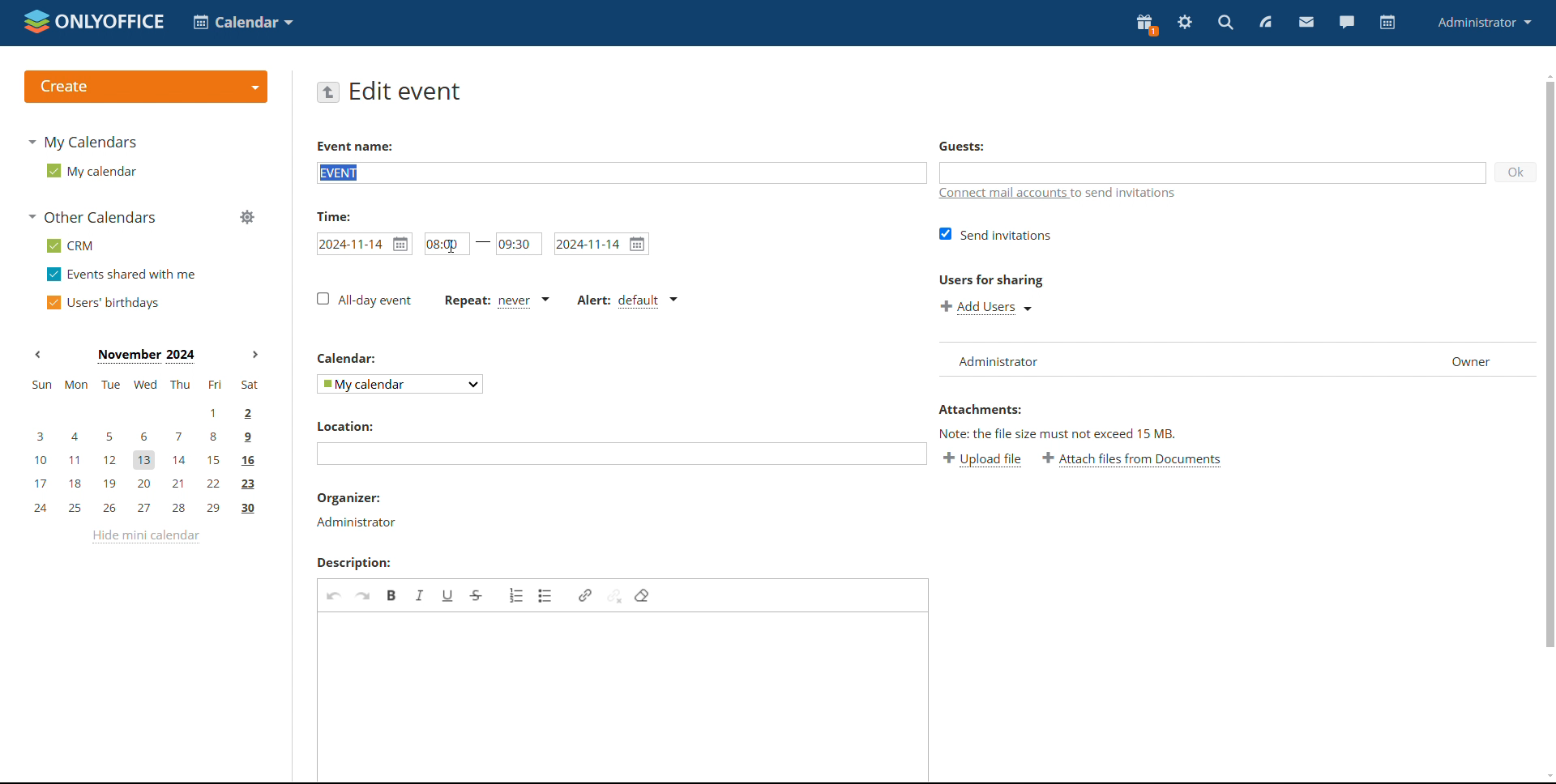 Image resolution: width=1556 pixels, height=784 pixels. Describe the element at coordinates (1546, 76) in the screenshot. I see `scroll up` at that location.